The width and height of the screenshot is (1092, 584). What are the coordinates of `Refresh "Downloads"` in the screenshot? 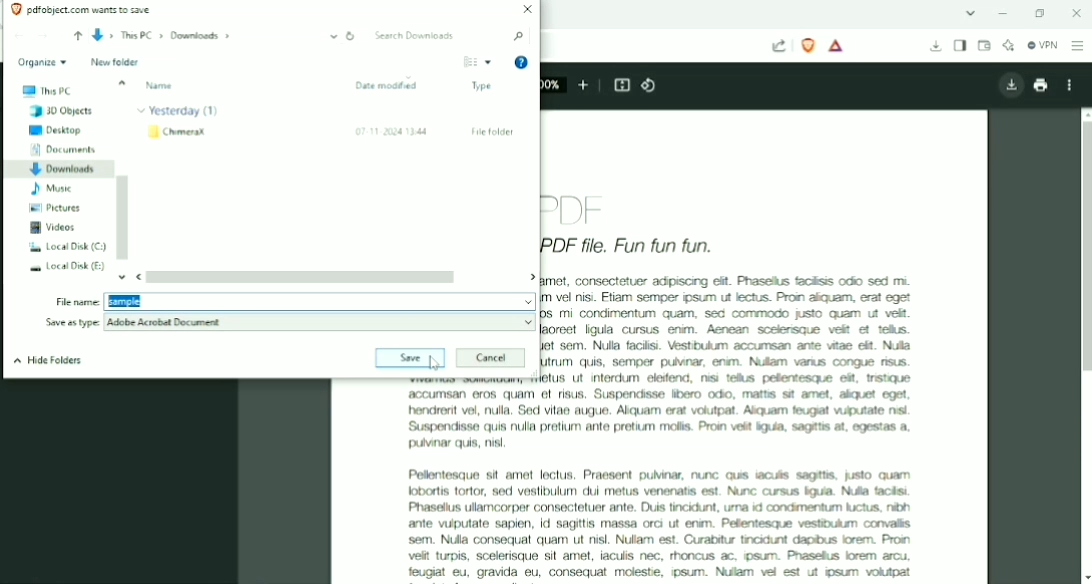 It's located at (351, 36).